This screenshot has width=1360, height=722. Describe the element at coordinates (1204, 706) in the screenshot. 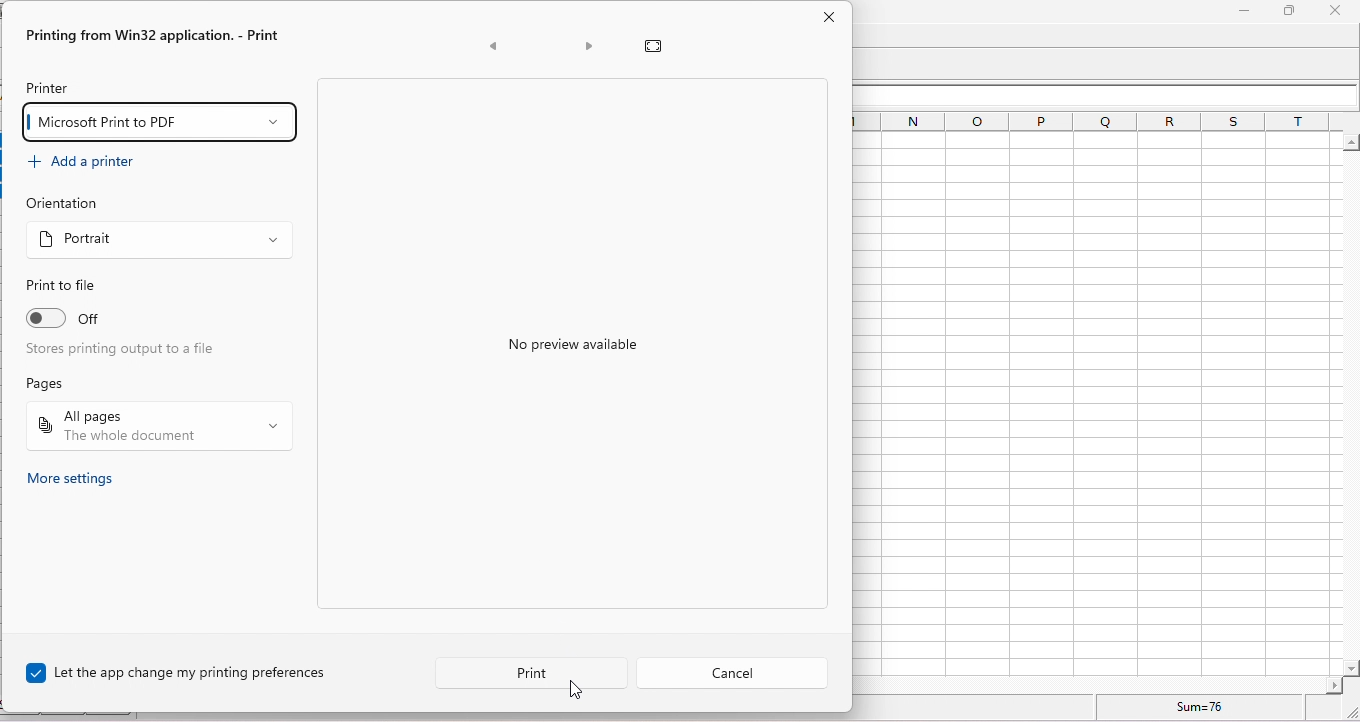

I see `sum=76` at that location.